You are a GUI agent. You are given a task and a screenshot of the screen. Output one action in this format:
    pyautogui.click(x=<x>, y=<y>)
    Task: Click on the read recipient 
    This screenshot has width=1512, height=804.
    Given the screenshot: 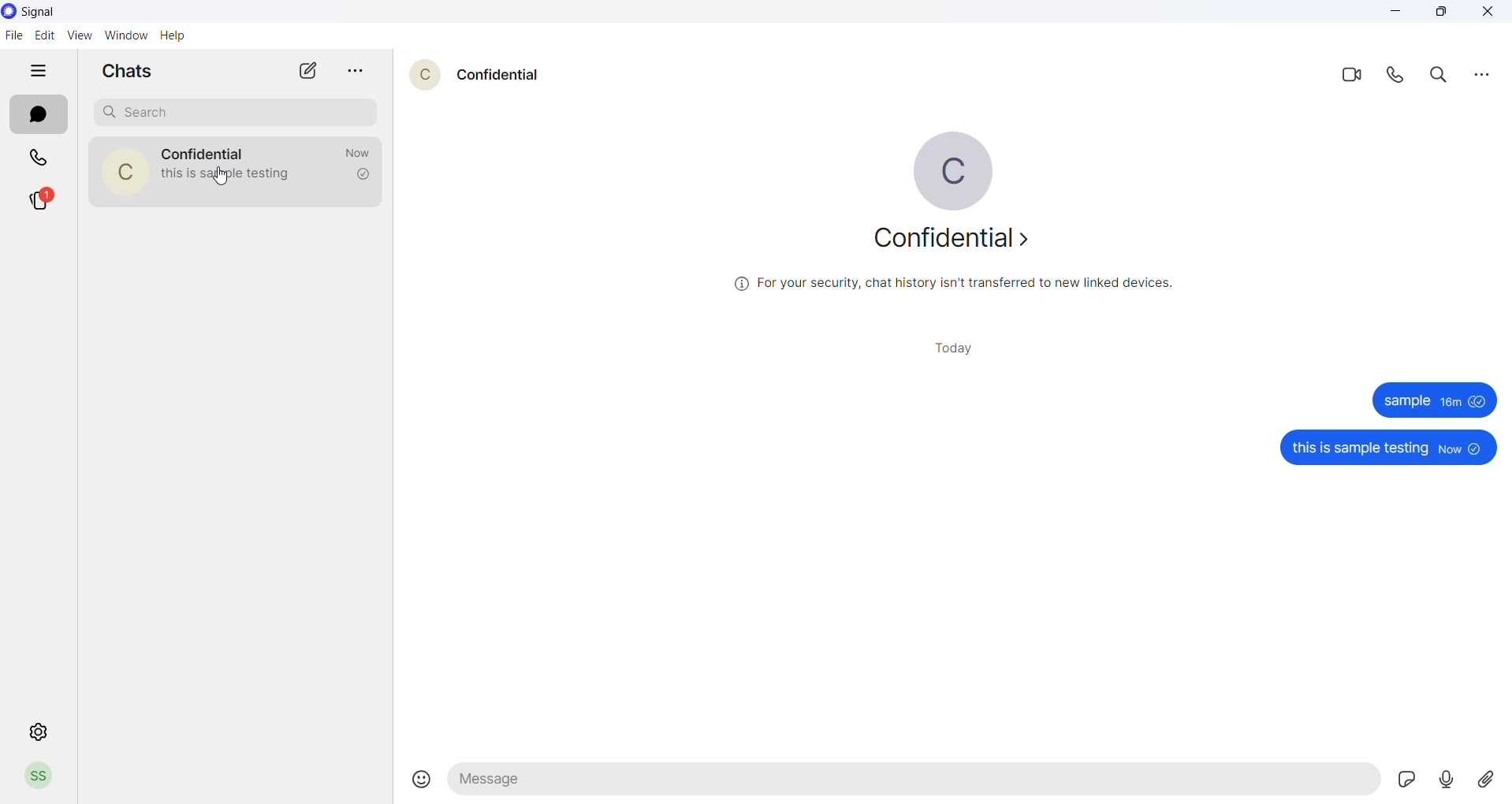 What is the action you would take?
    pyautogui.click(x=362, y=175)
    